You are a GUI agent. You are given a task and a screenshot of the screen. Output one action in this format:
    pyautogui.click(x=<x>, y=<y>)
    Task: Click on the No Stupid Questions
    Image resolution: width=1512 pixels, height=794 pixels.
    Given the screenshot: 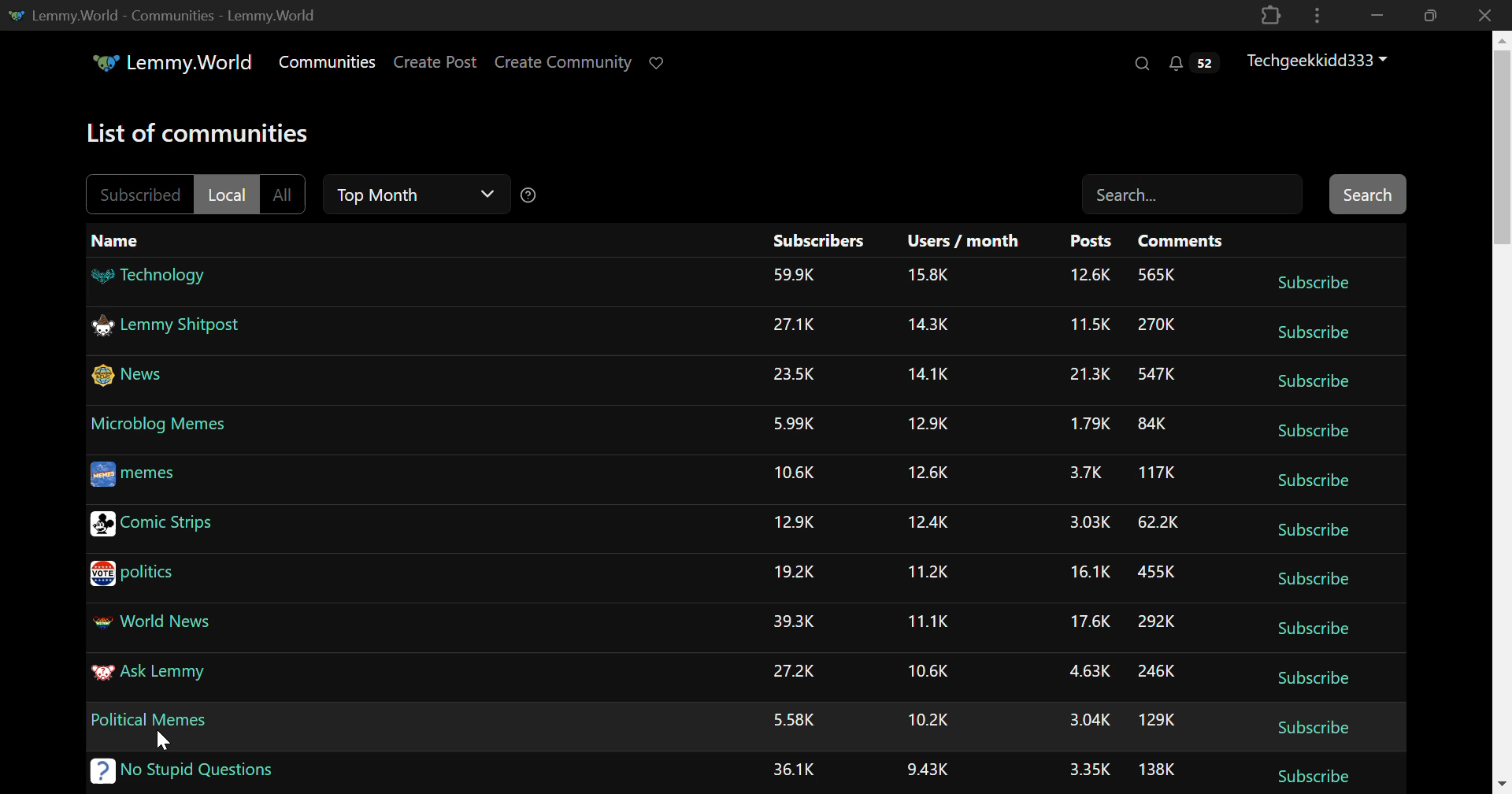 What is the action you would take?
    pyautogui.click(x=184, y=774)
    